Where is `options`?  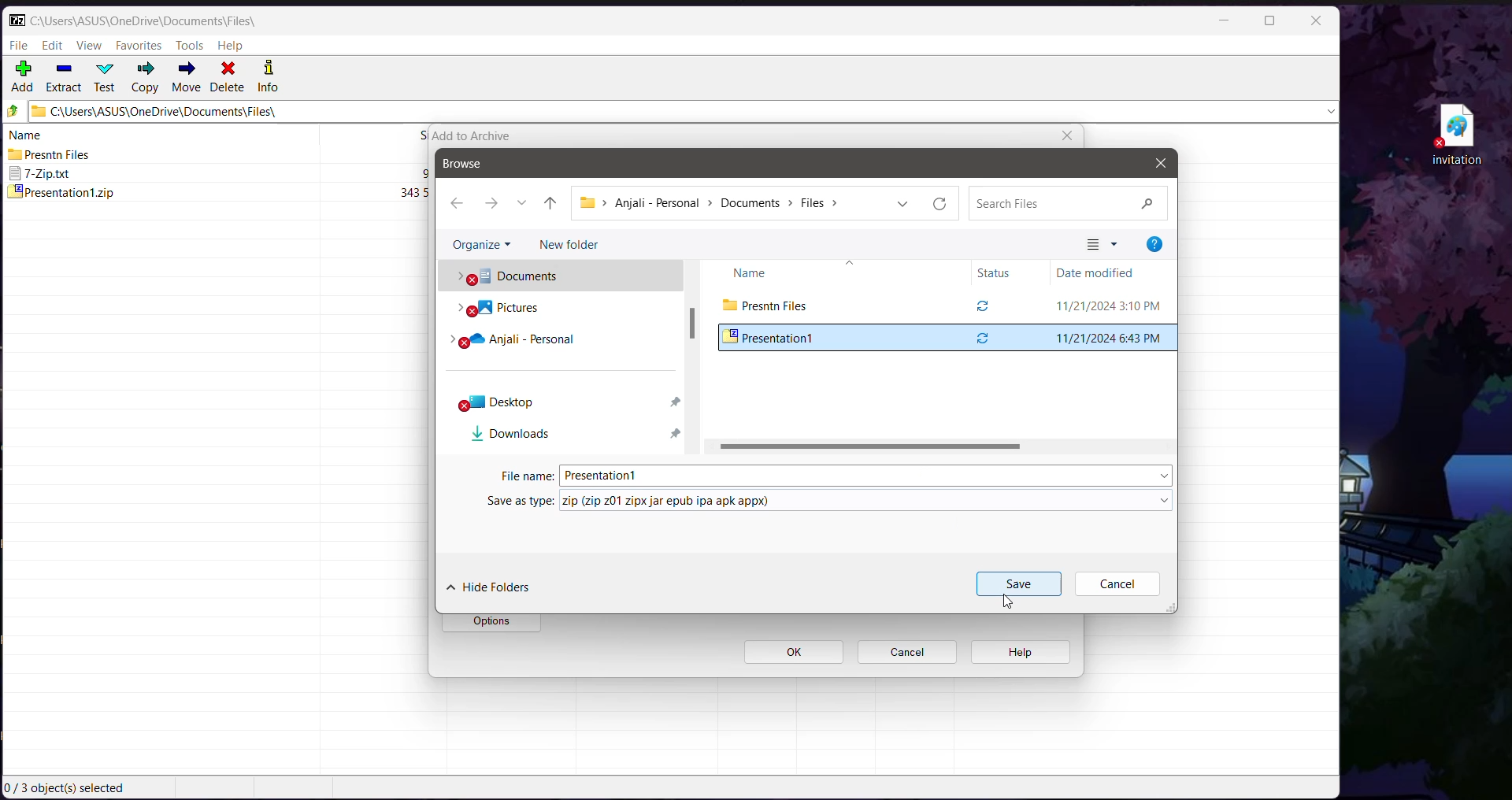 options is located at coordinates (493, 624).